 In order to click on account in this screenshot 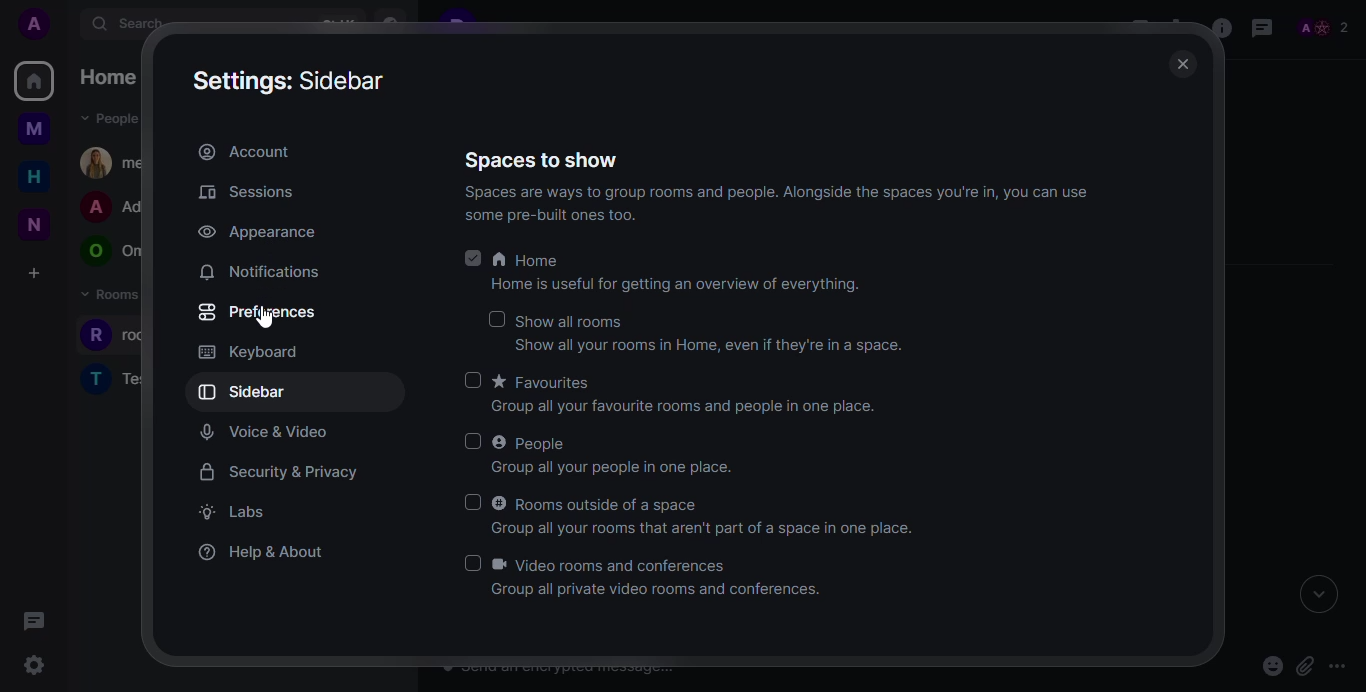, I will do `click(244, 150)`.